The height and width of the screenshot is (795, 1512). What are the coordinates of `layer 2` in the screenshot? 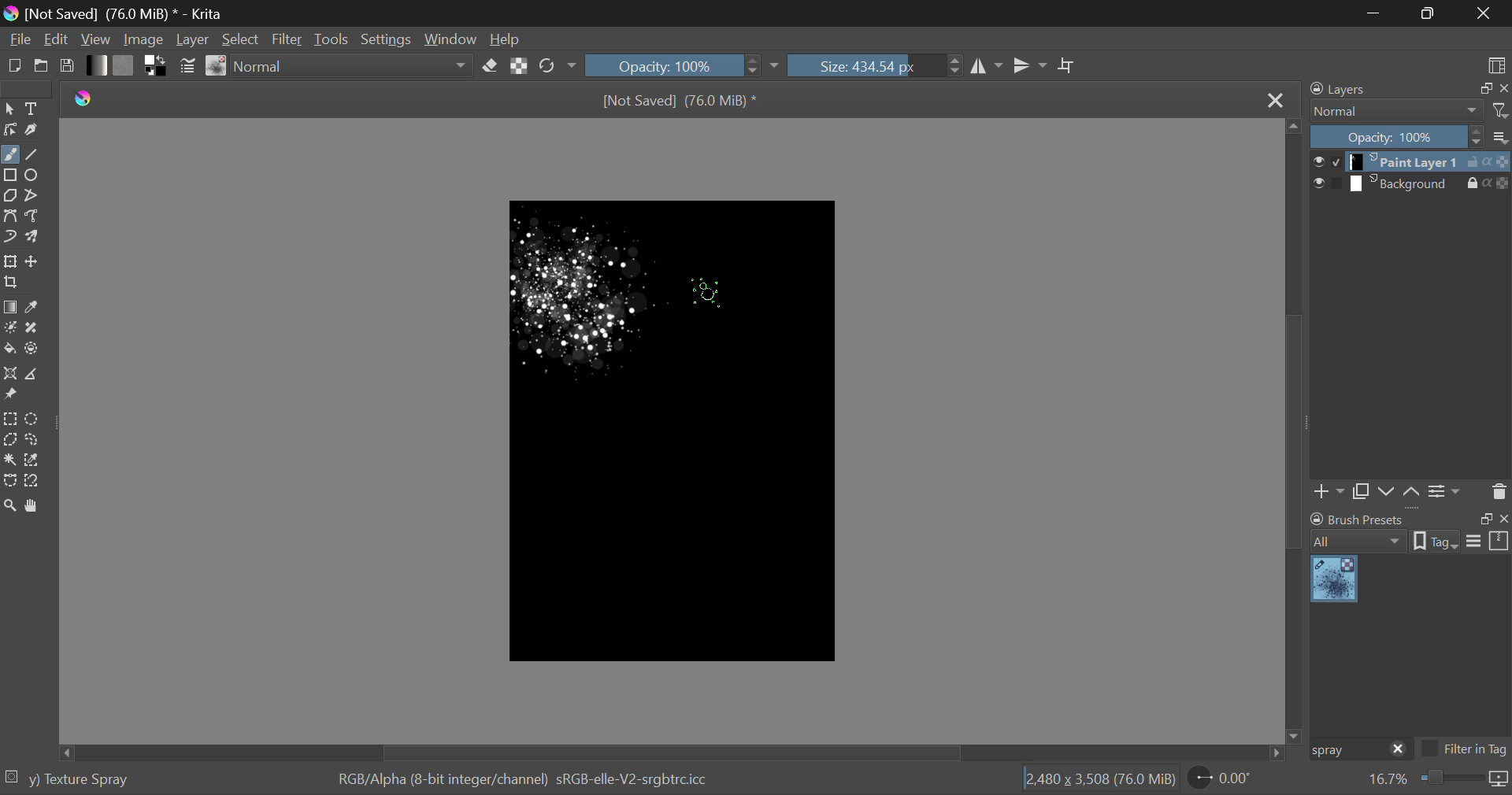 It's located at (1405, 184).